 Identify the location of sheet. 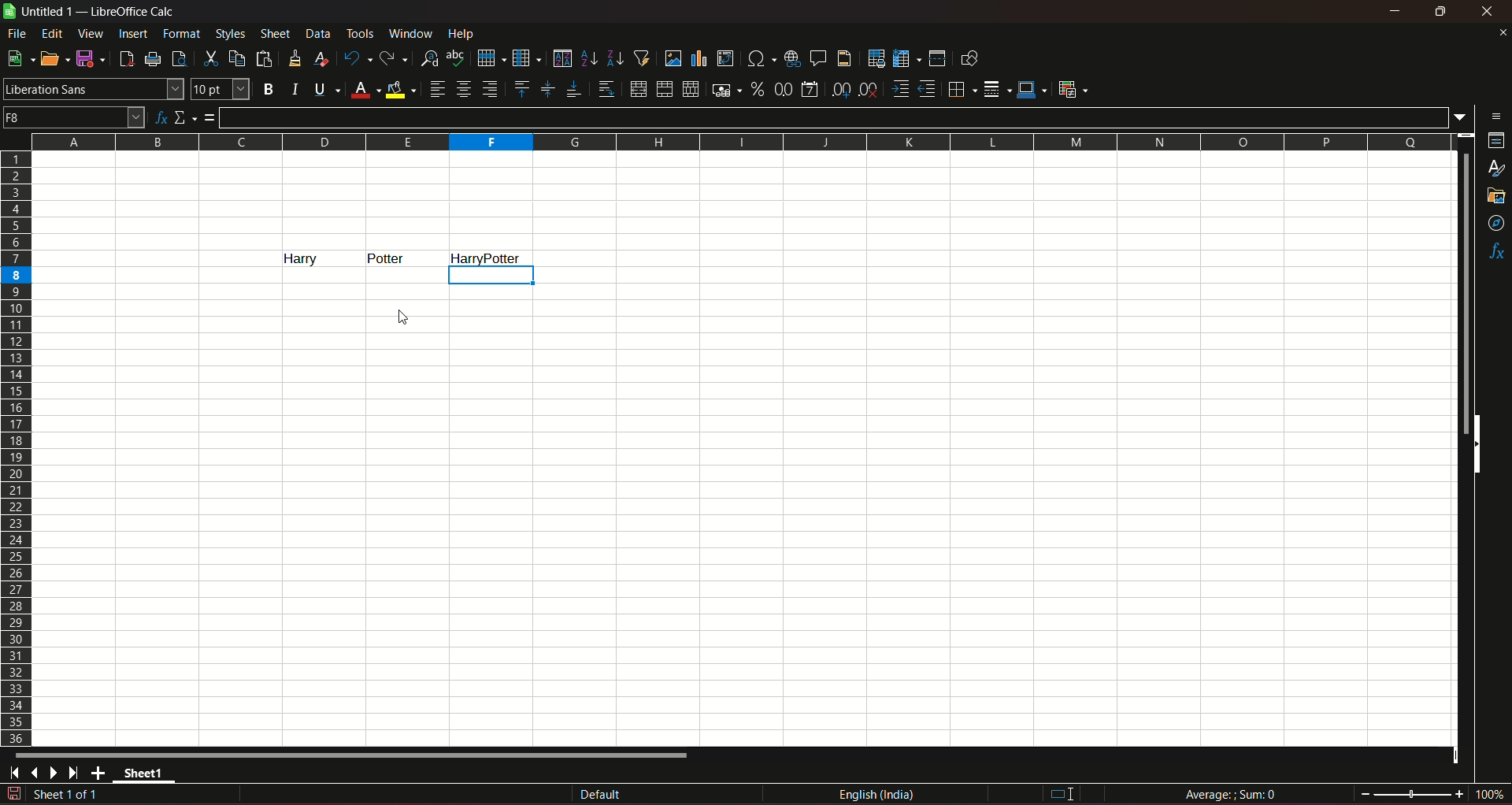
(276, 34).